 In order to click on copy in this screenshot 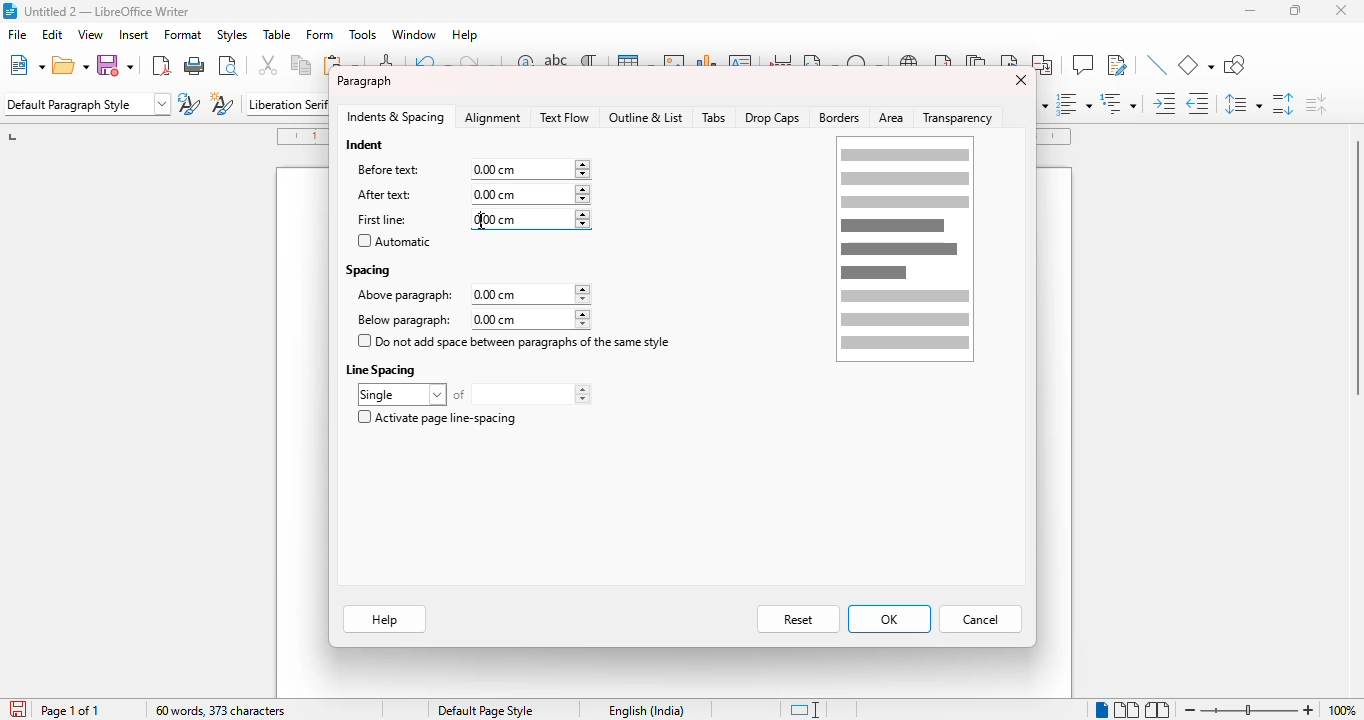, I will do `click(302, 65)`.